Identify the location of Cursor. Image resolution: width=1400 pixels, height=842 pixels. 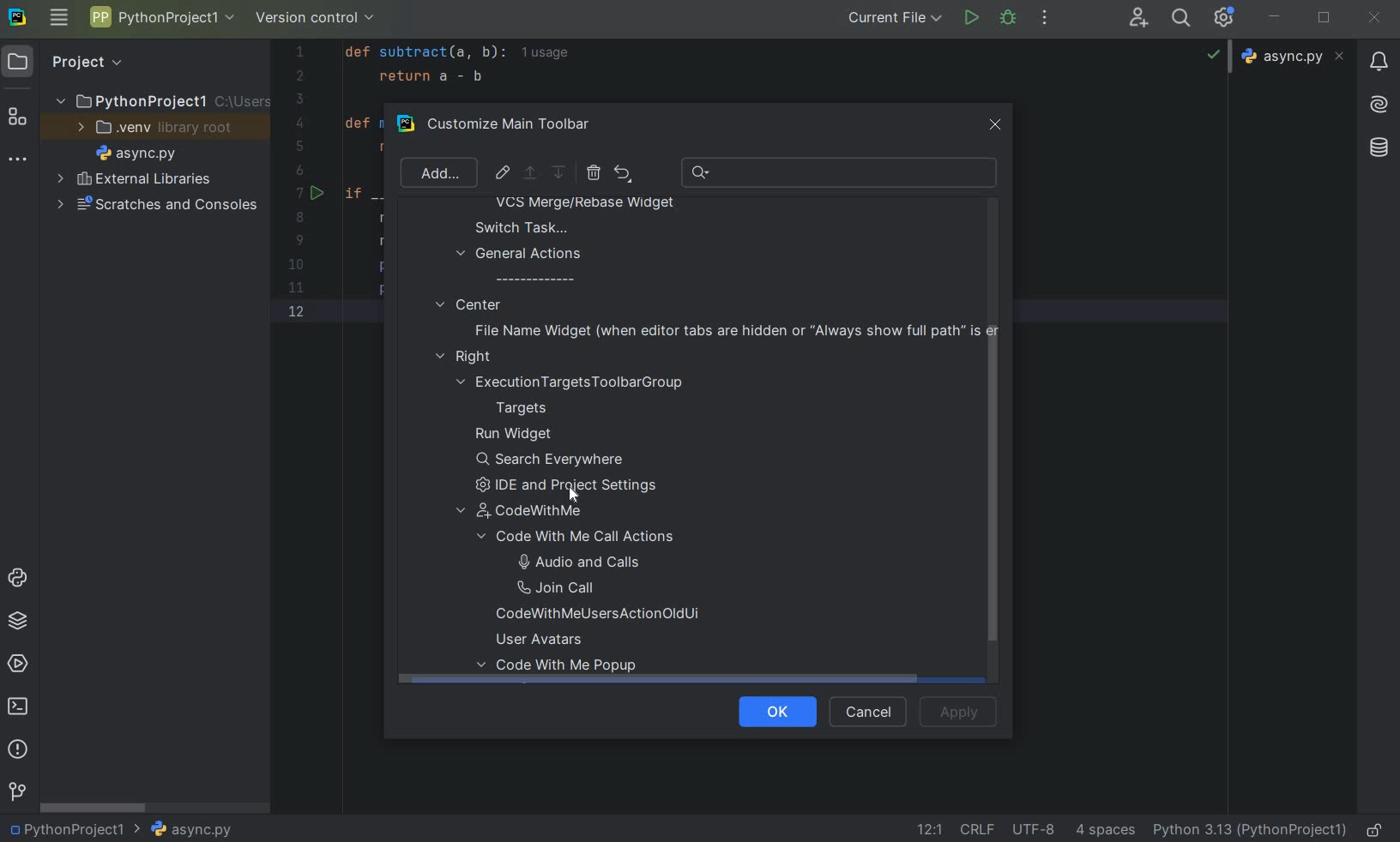
(573, 496).